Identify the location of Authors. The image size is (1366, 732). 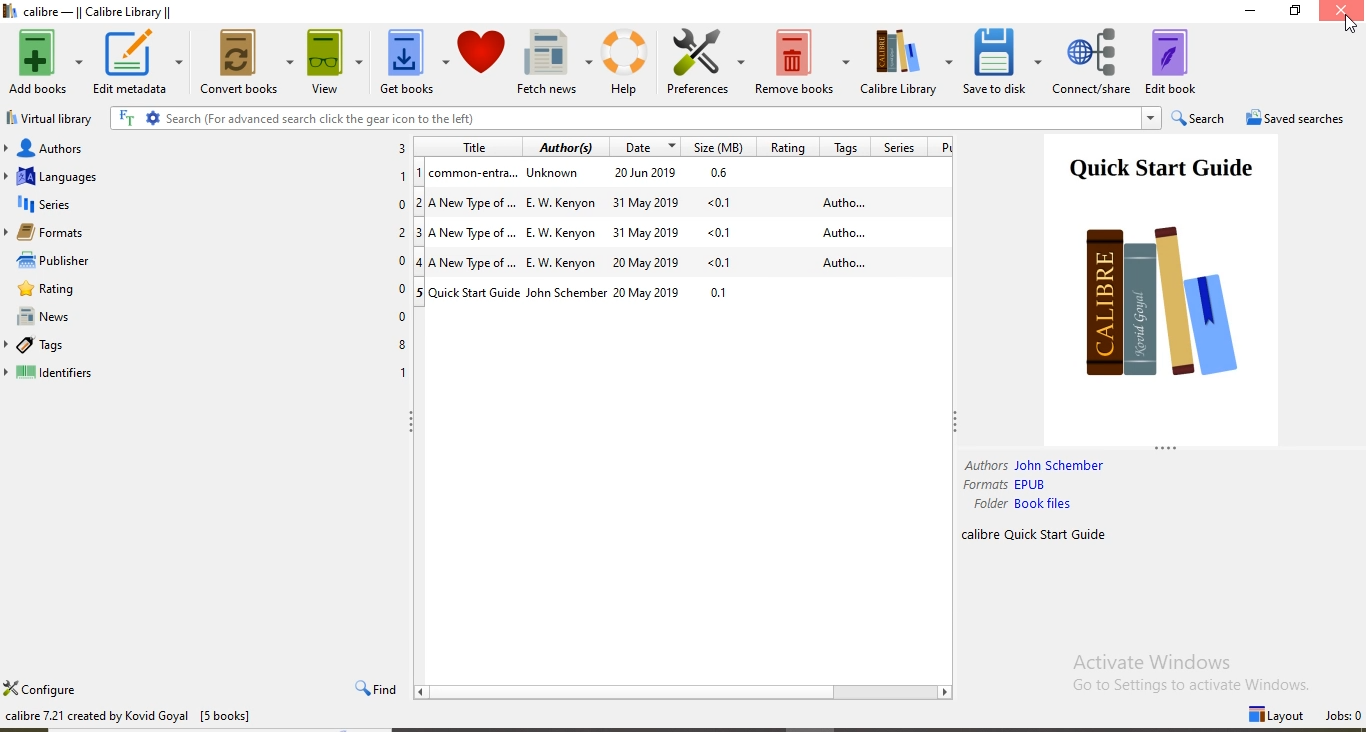
(205, 146).